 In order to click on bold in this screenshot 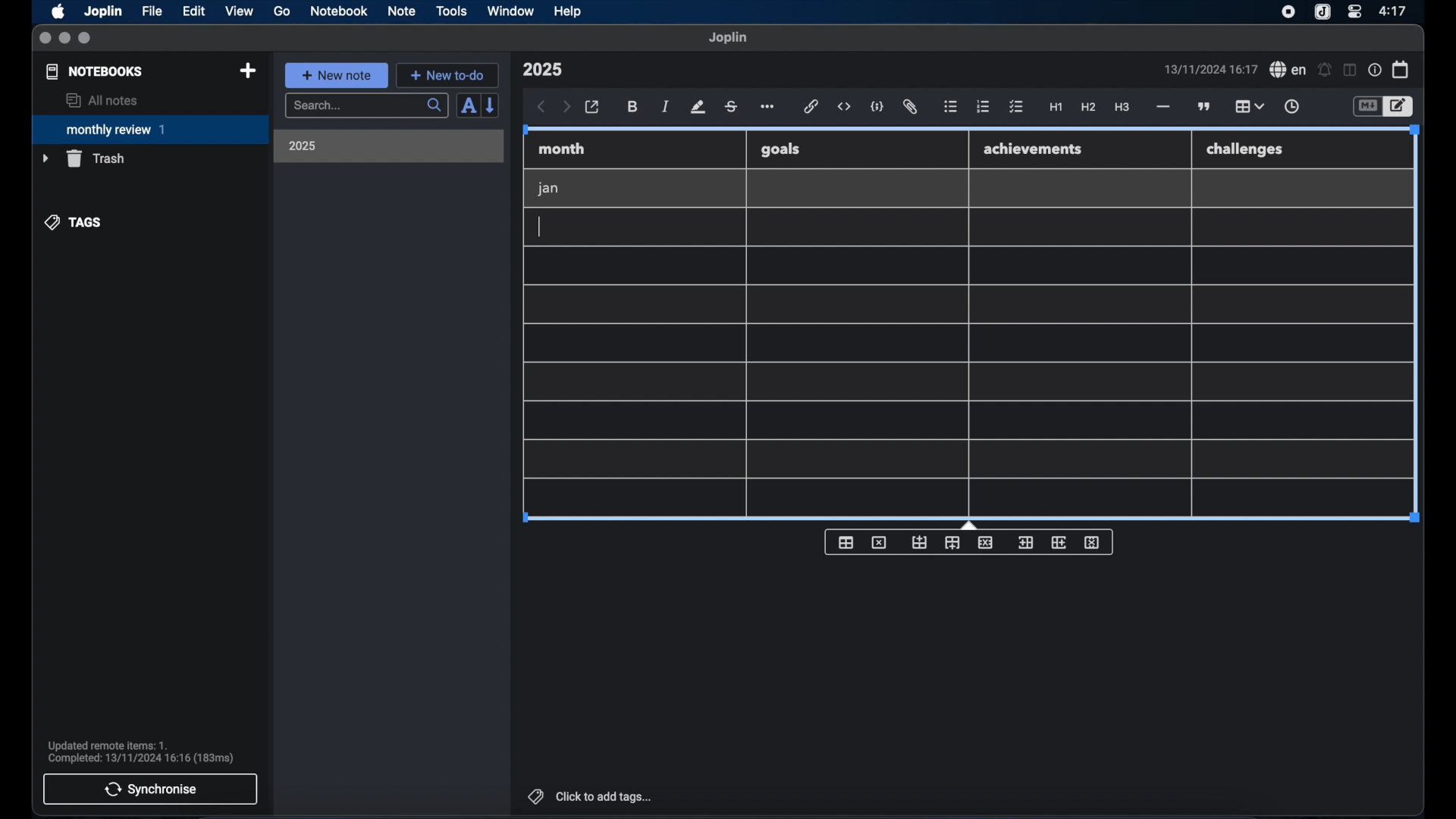, I will do `click(634, 107)`.